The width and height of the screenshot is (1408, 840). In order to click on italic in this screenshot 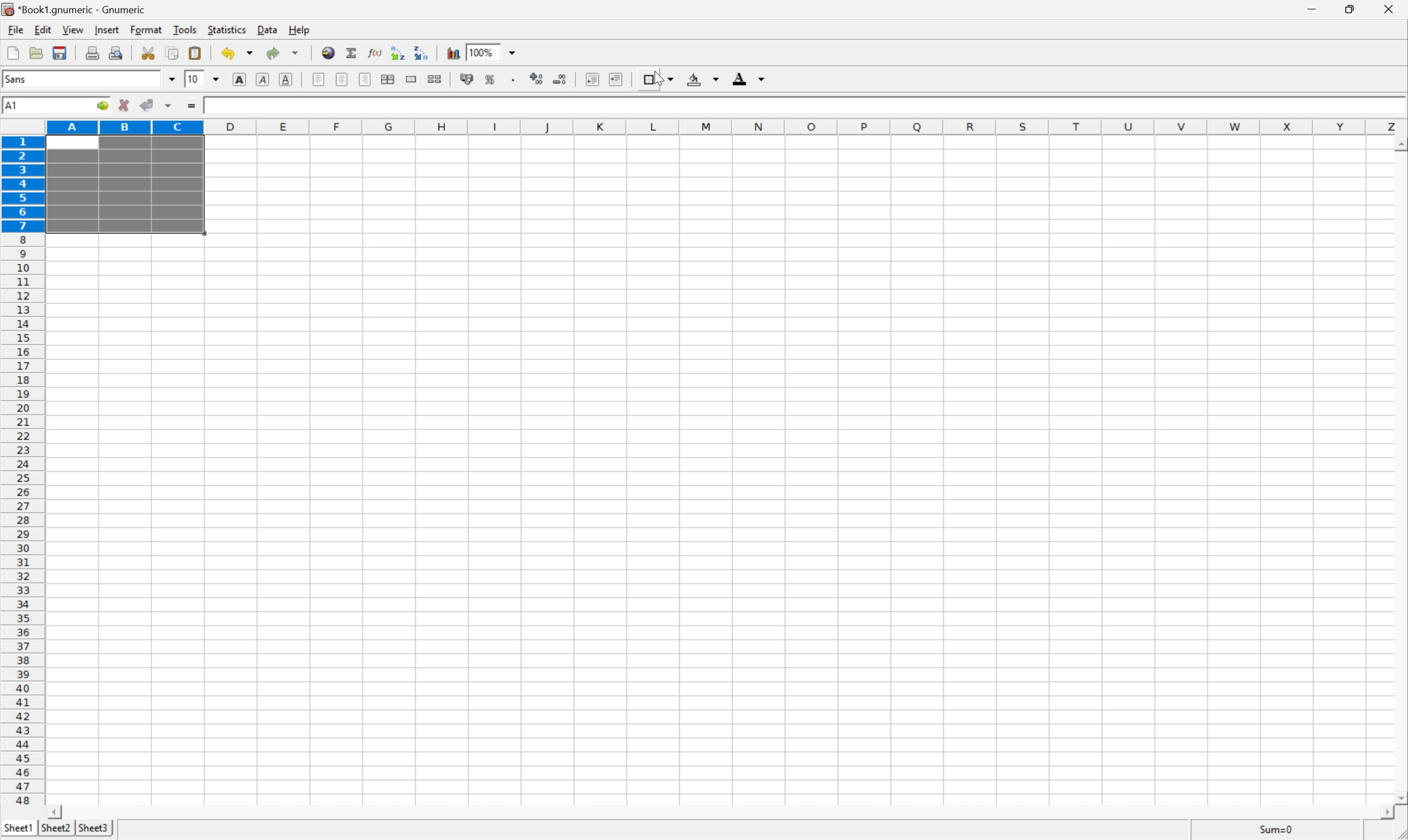, I will do `click(263, 80)`.